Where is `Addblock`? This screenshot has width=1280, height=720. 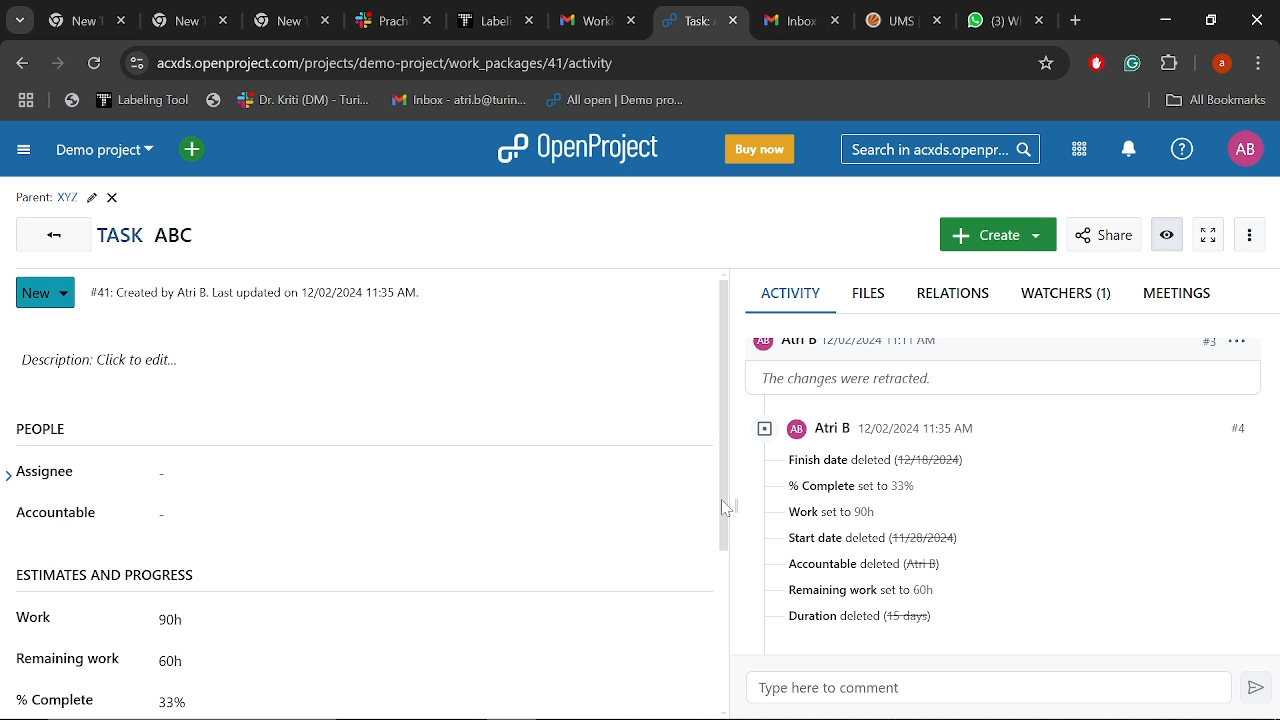
Addblock is located at coordinates (1096, 63).